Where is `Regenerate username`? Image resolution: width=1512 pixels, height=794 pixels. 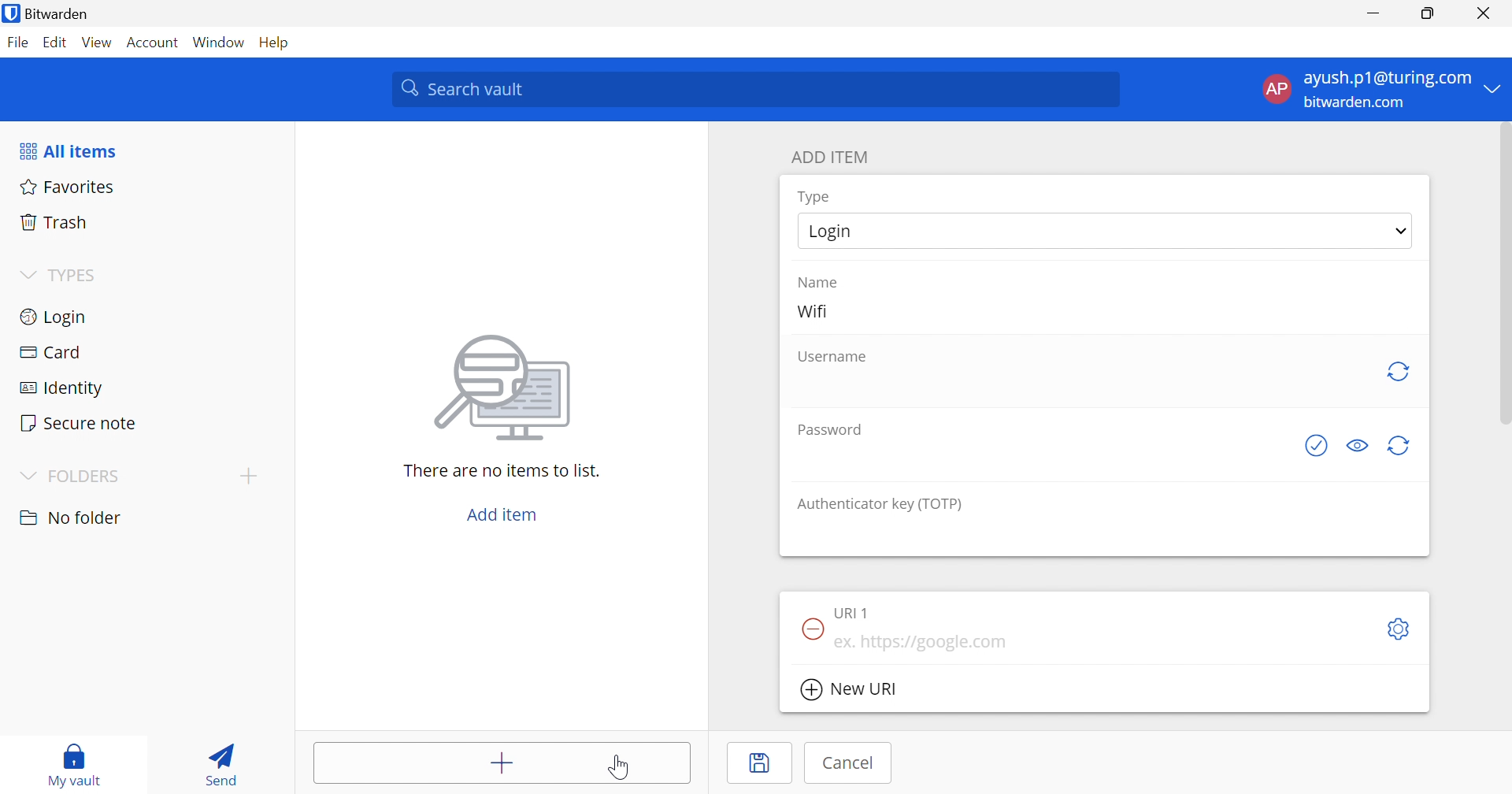
Regenerate username is located at coordinates (1398, 371).